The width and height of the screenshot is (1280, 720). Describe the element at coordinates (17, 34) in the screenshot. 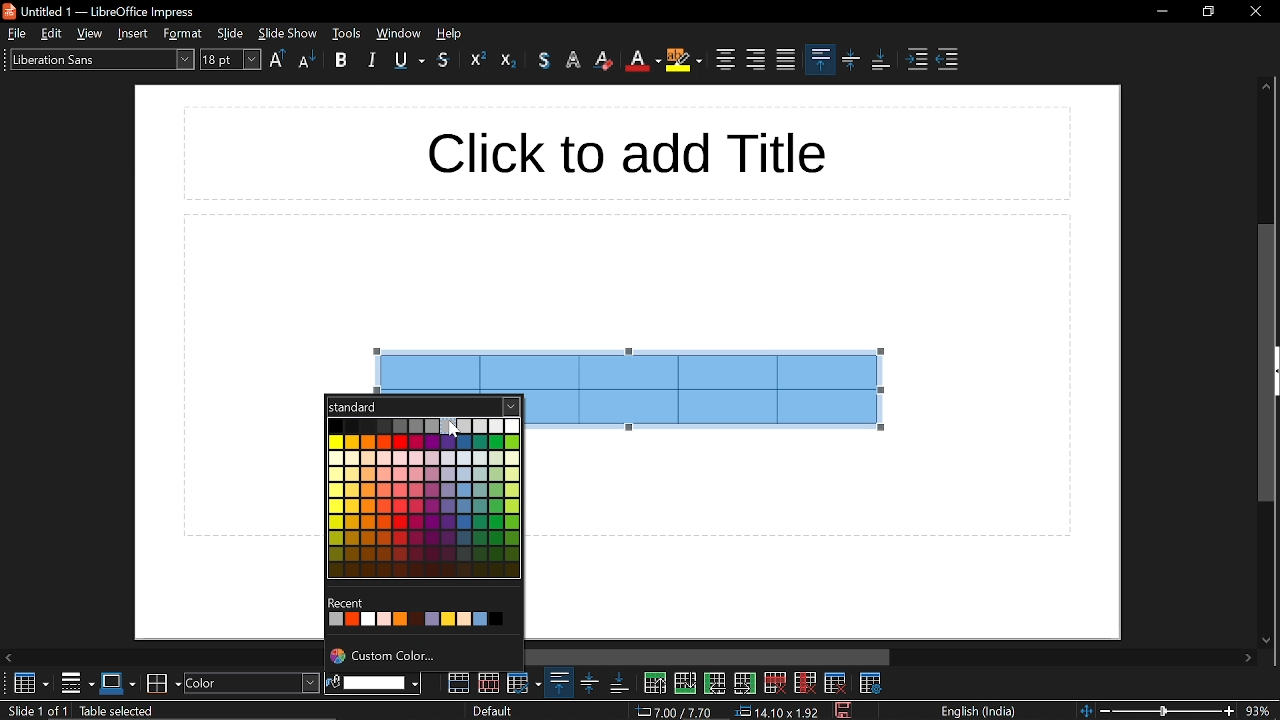

I see `file` at that location.